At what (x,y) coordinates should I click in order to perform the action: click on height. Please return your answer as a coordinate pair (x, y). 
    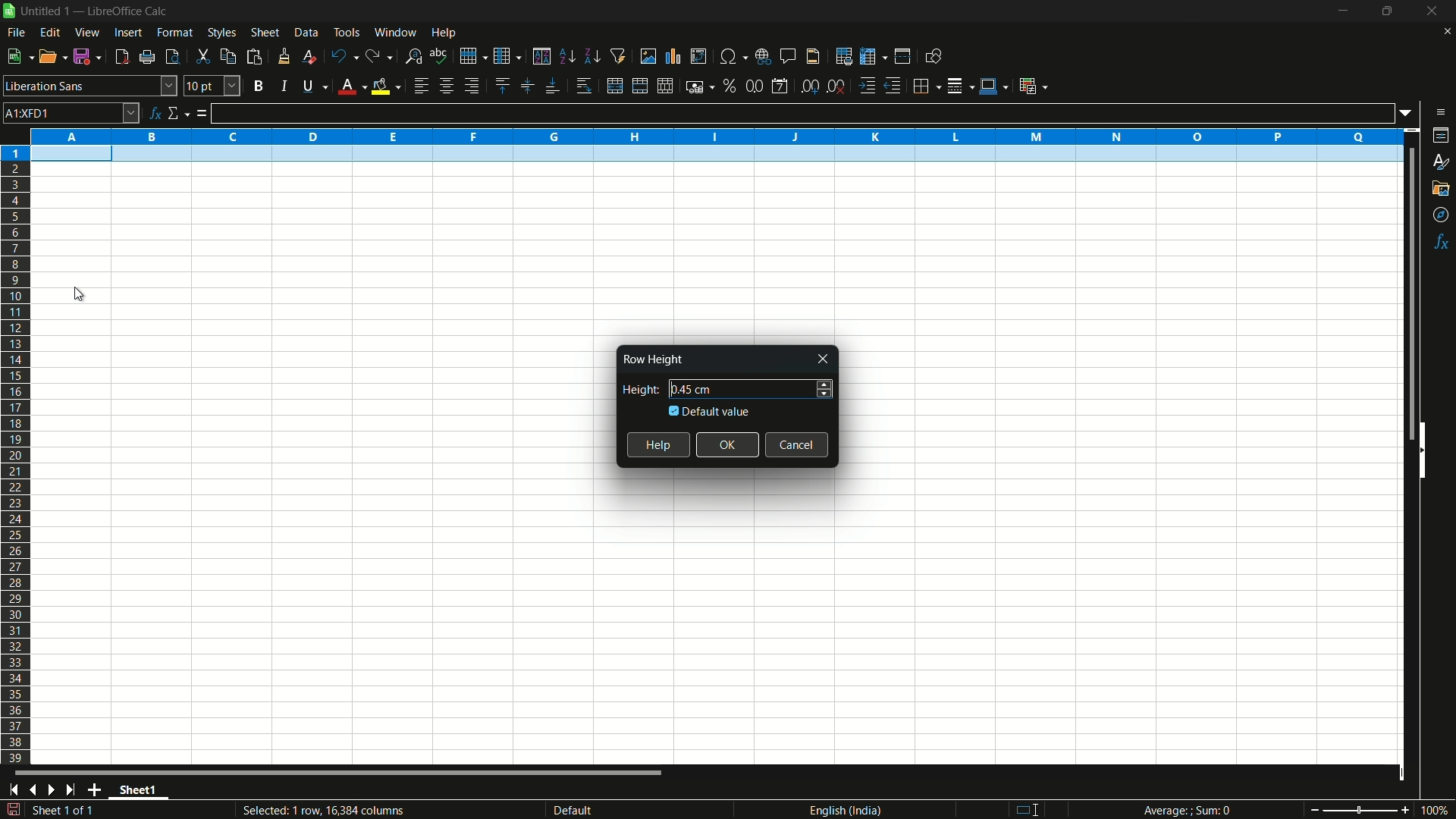
    Looking at the image, I should click on (693, 389).